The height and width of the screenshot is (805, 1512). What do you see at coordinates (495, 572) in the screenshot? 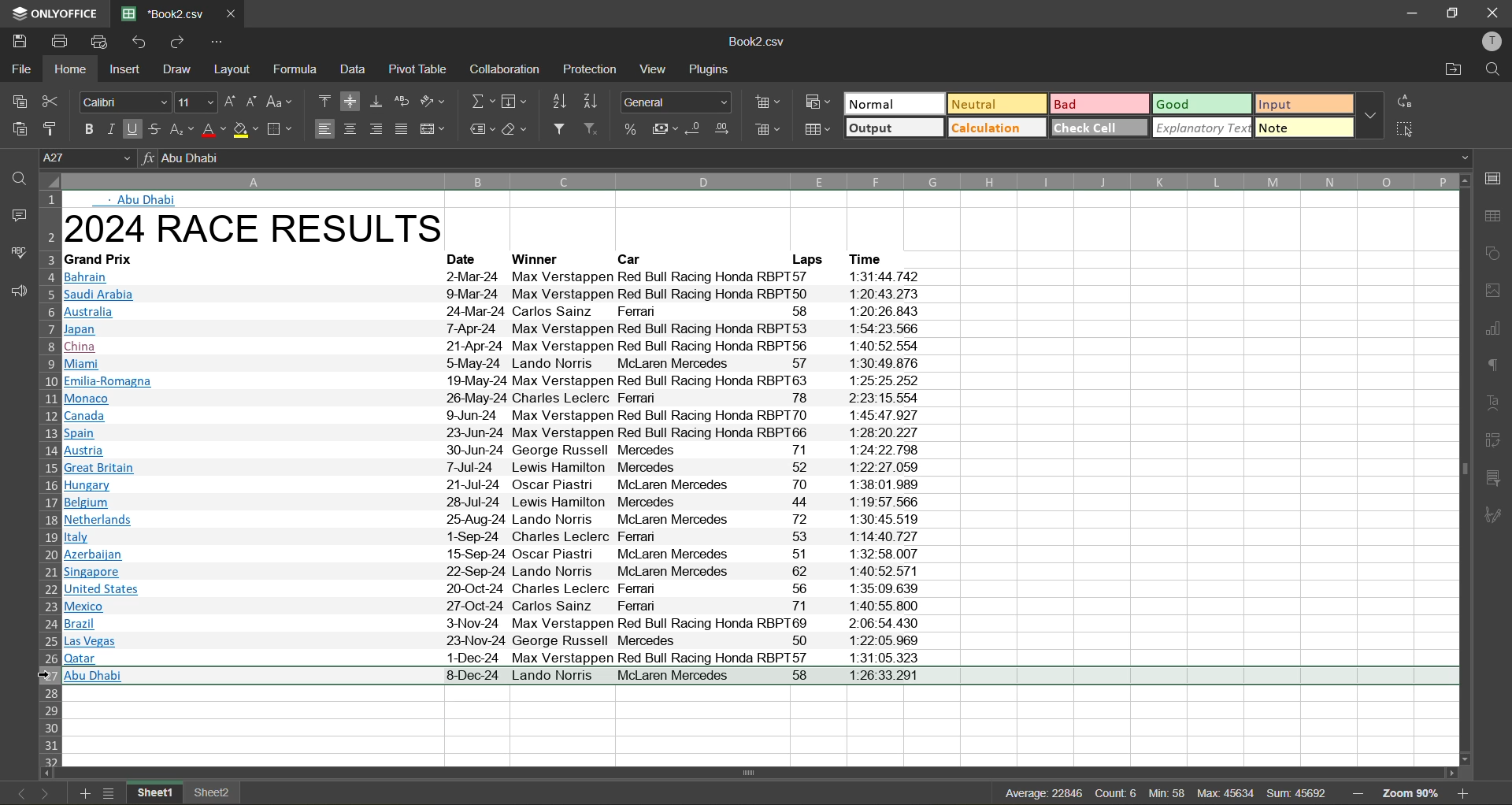
I see `text info` at bounding box center [495, 572].